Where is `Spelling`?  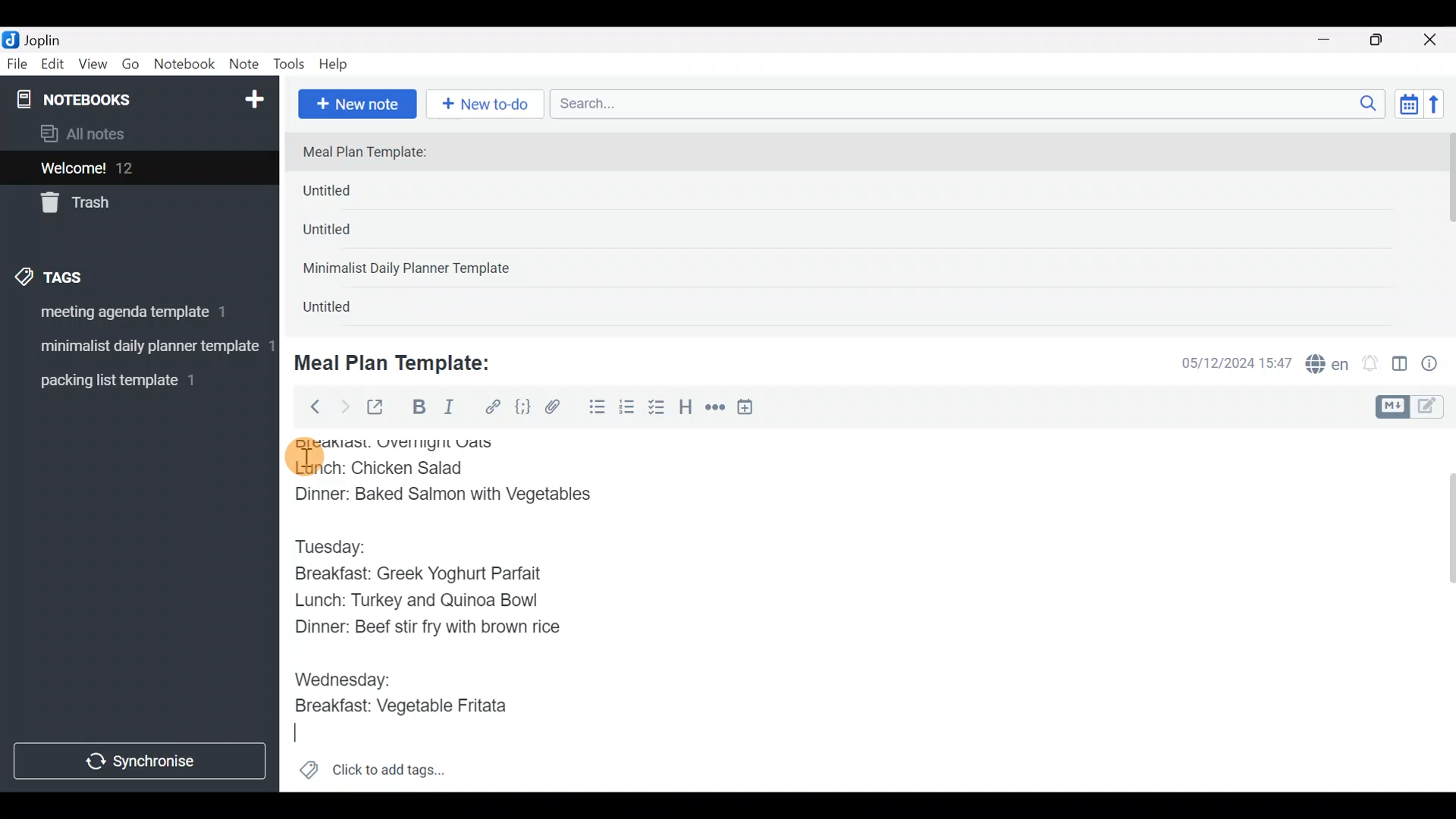
Spelling is located at coordinates (1328, 366).